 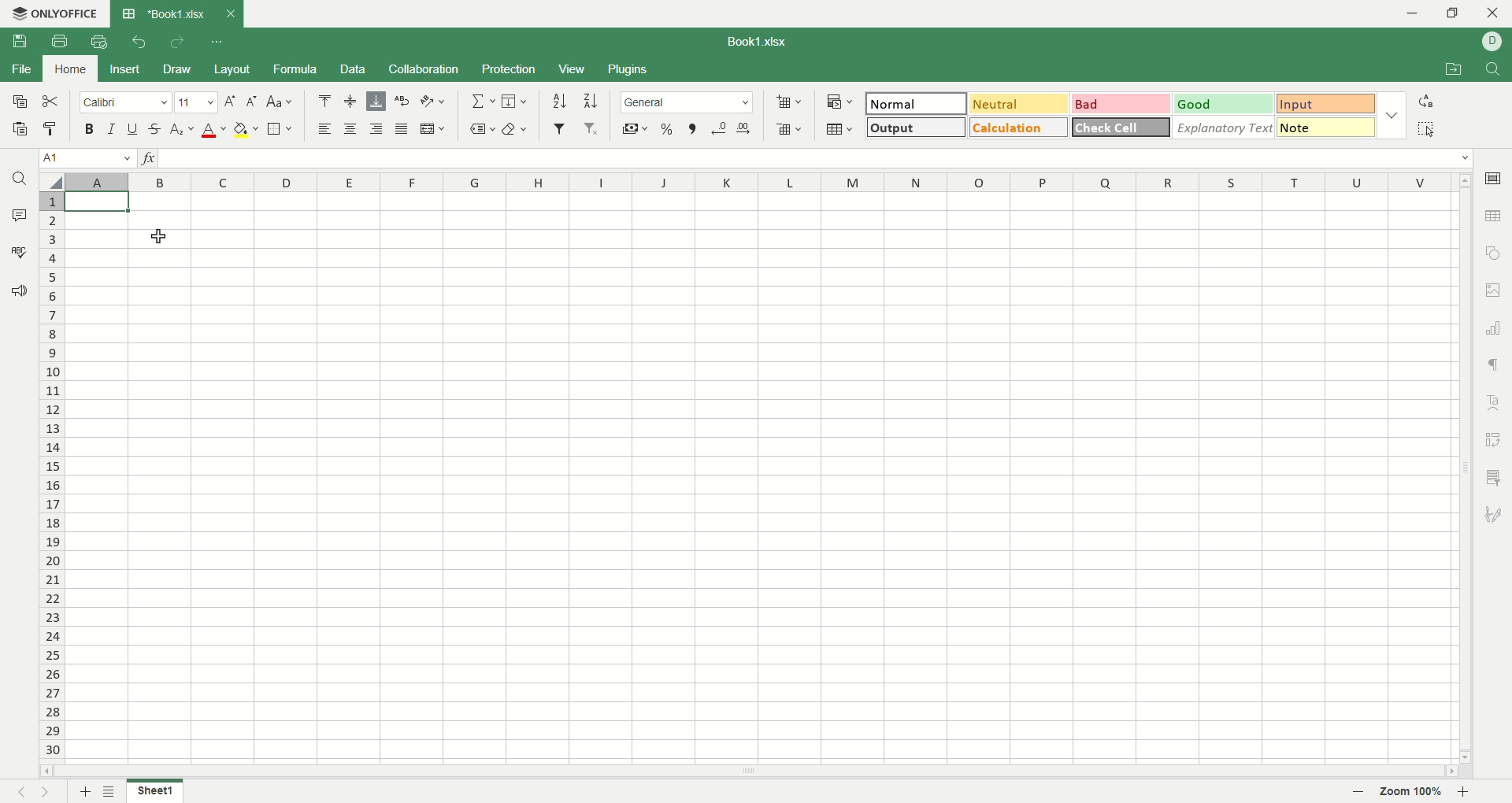 I want to click on cell setting, so click(x=1494, y=177).